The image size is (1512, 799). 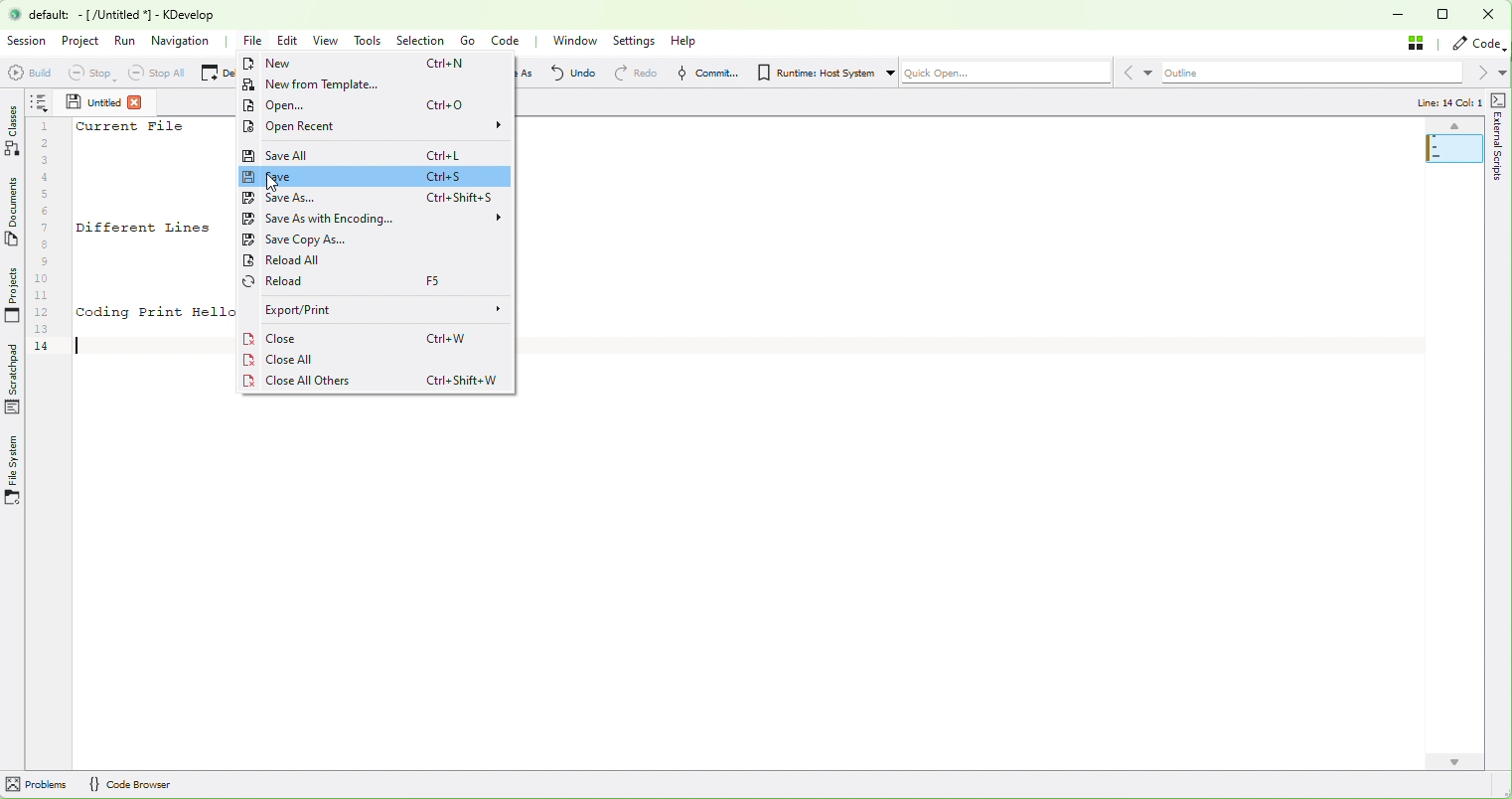 What do you see at coordinates (1445, 16) in the screenshot?
I see `Box` at bounding box center [1445, 16].